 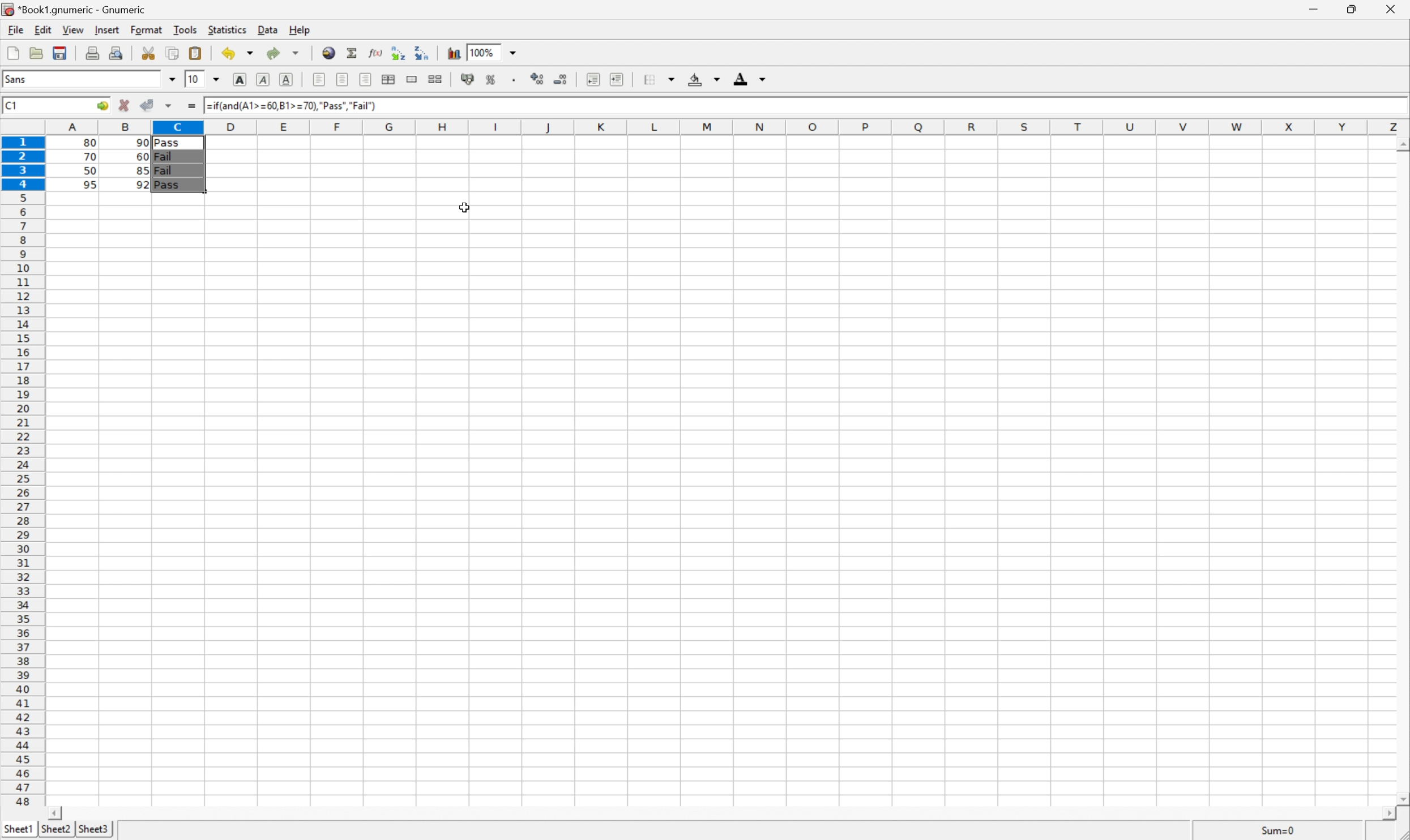 What do you see at coordinates (288, 79) in the screenshot?
I see `Underline` at bounding box center [288, 79].